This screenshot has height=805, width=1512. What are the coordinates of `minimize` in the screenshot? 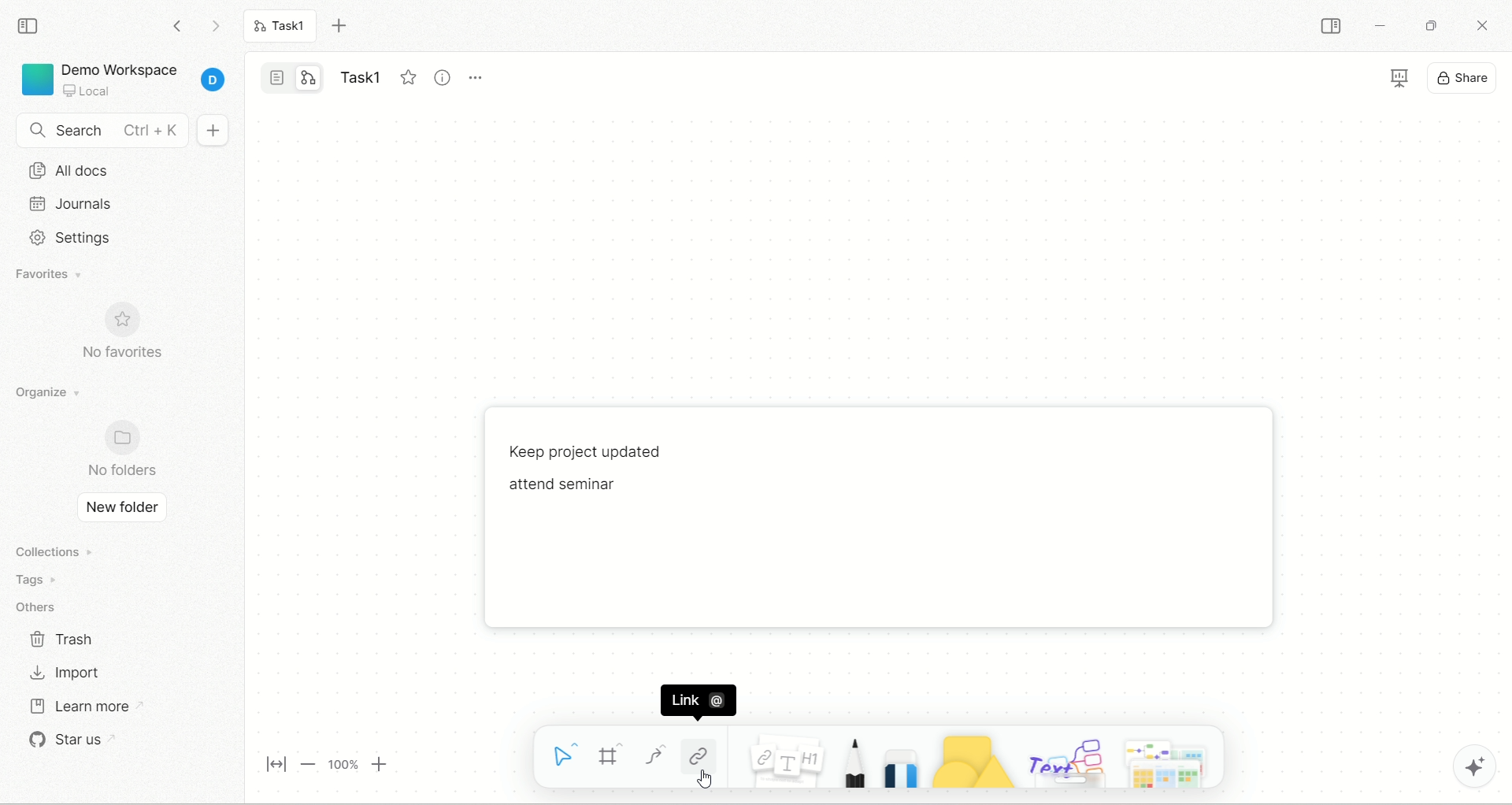 It's located at (1382, 28).